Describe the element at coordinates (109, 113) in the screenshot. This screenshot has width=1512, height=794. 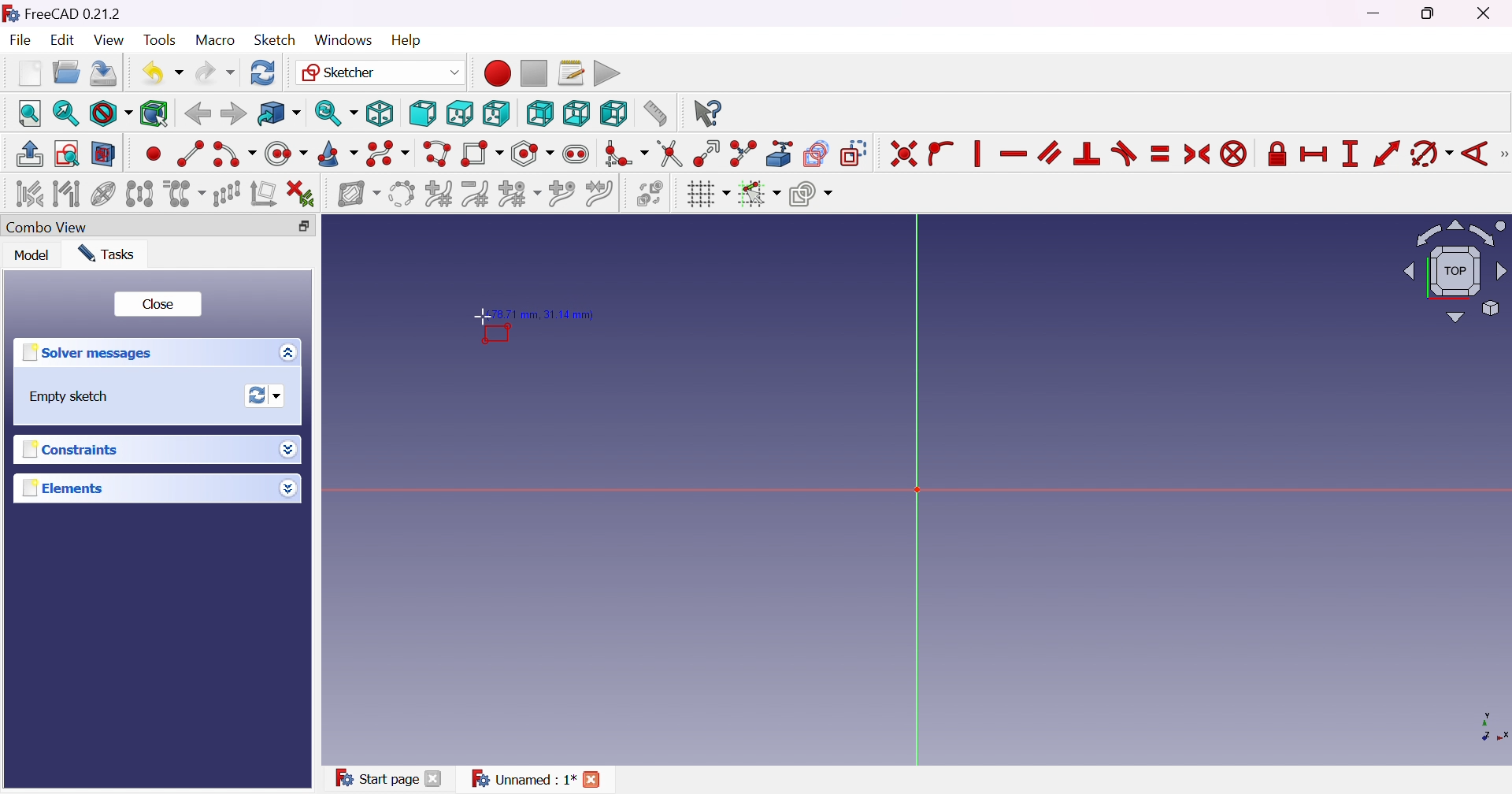
I see `Fit style` at that location.